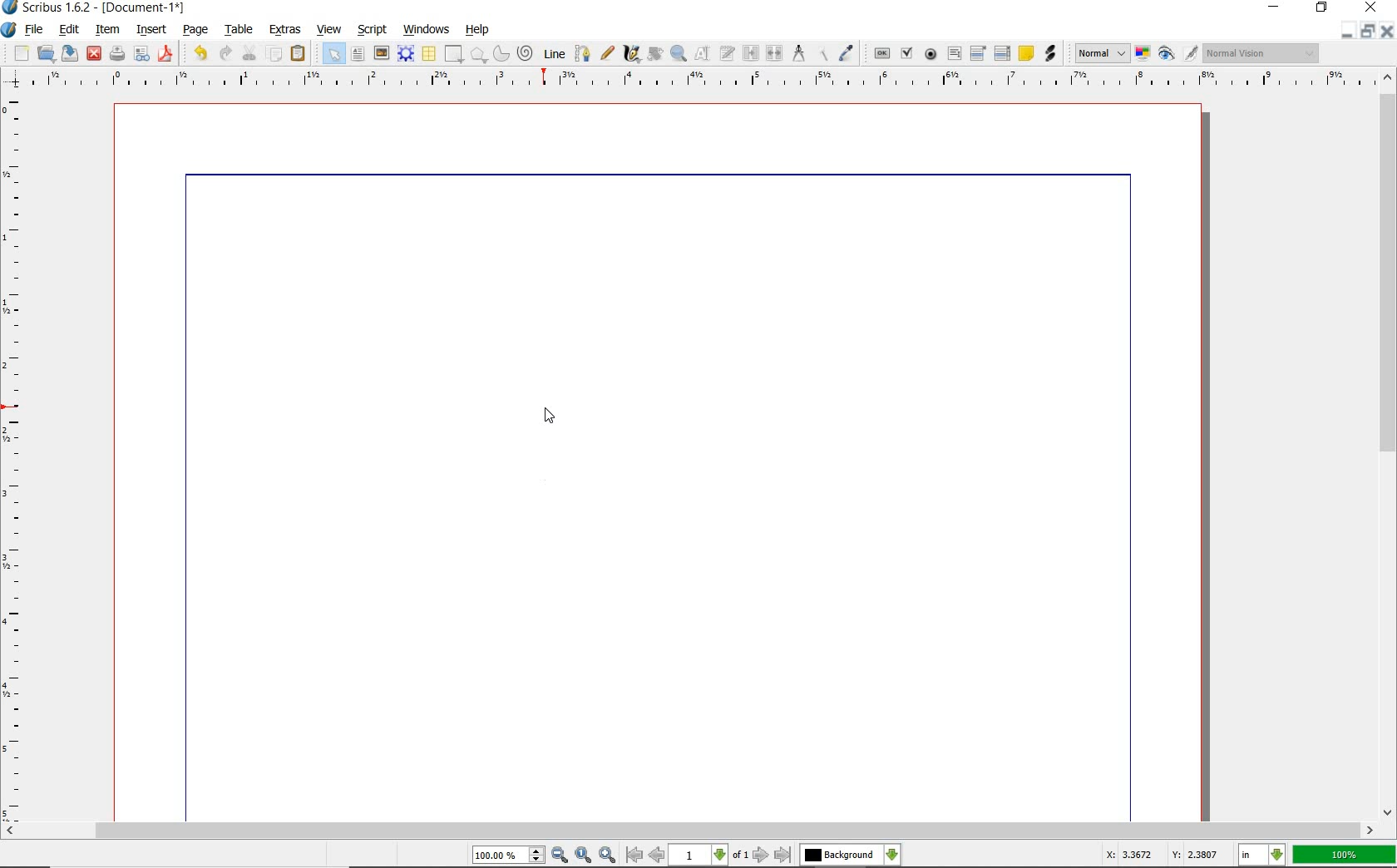  What do you see at coordinates (8, 29) in the screenshot?
I see `system logo` at bounding box center [8, 29].